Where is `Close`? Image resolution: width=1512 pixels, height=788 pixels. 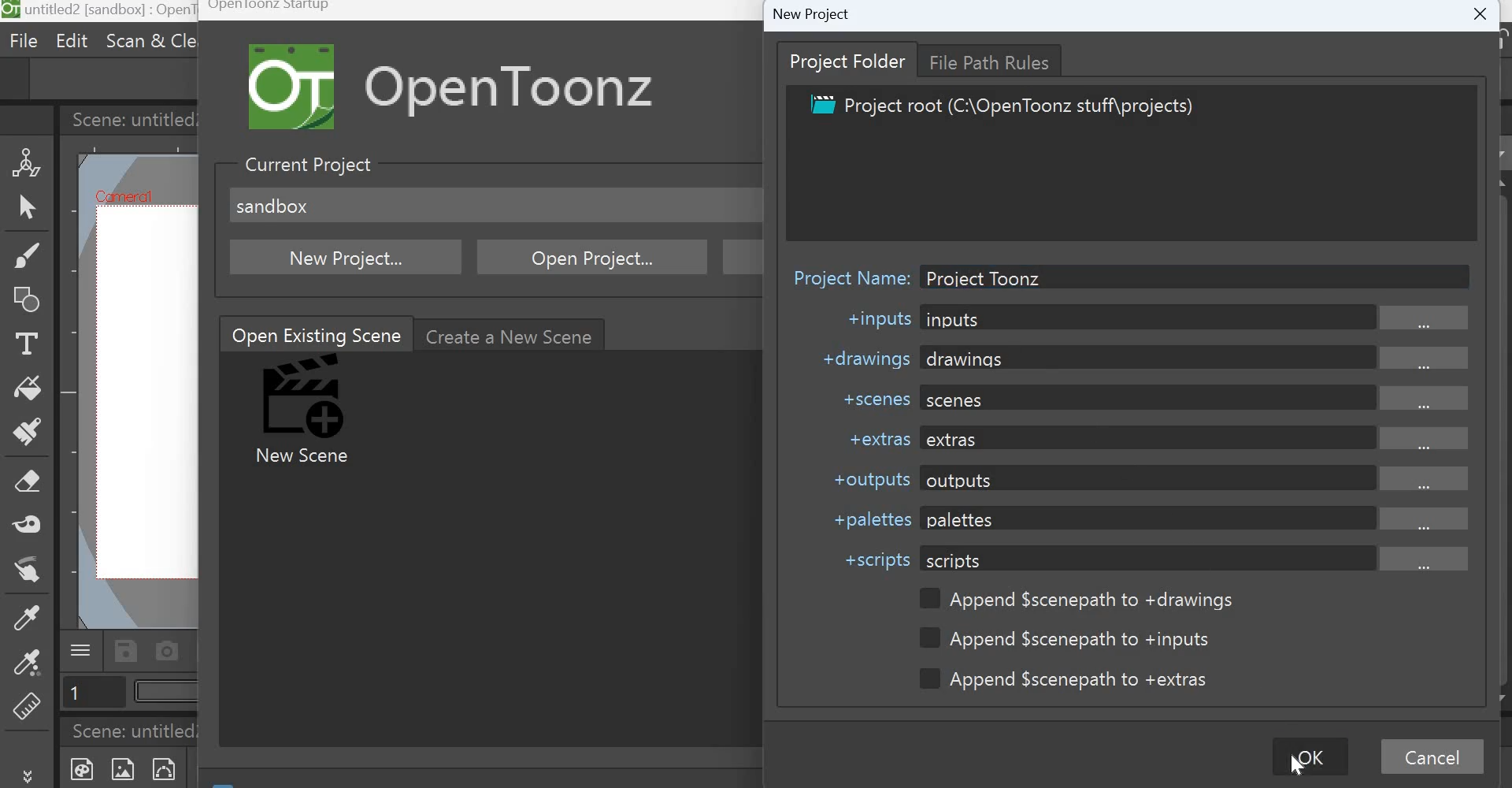 Close is located at coordinates (1488, 11).